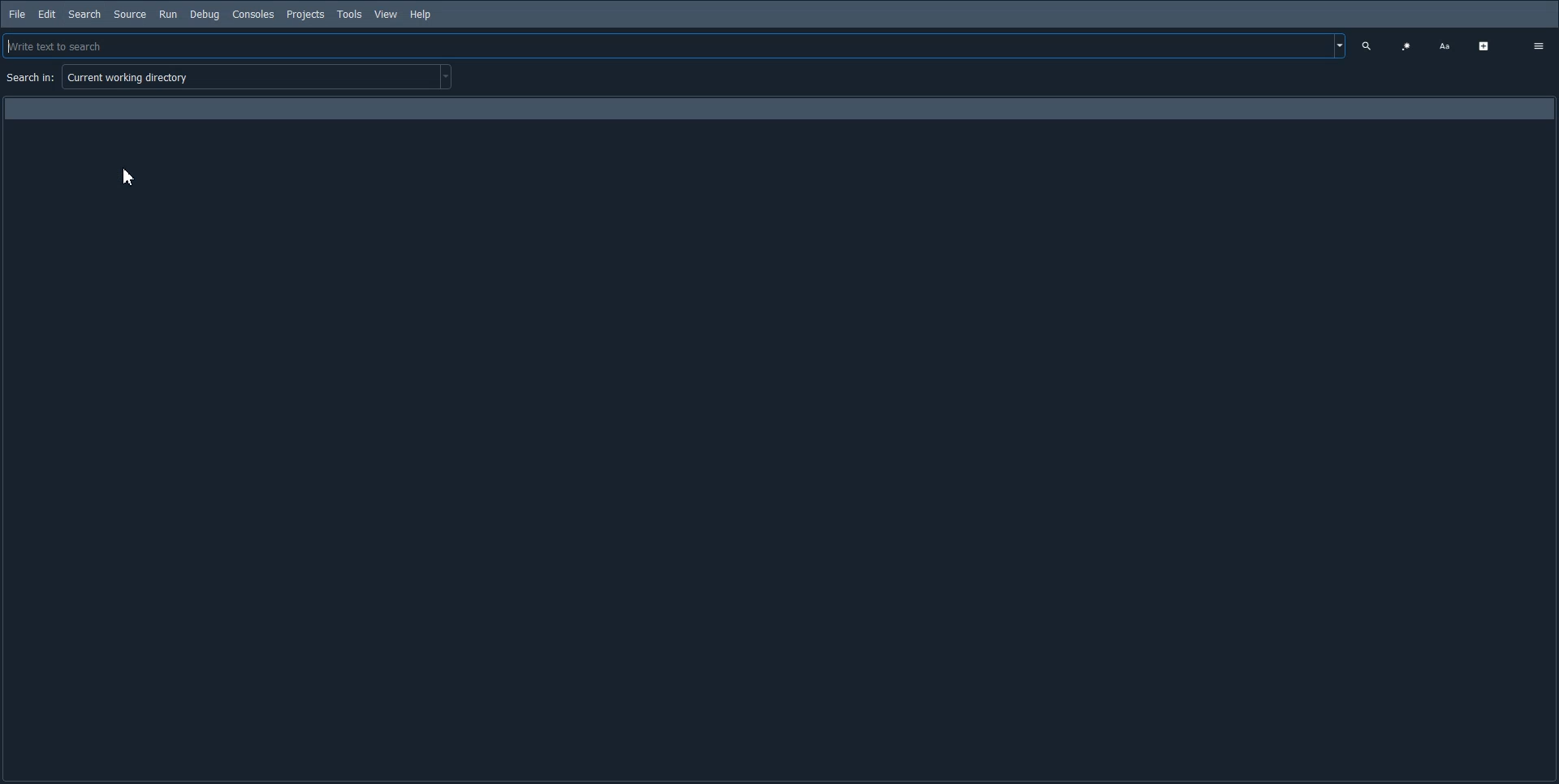  What do you see at coordinates (304, 15) in the screenshot?
I see `Projects` at bounding box center [304, 15].